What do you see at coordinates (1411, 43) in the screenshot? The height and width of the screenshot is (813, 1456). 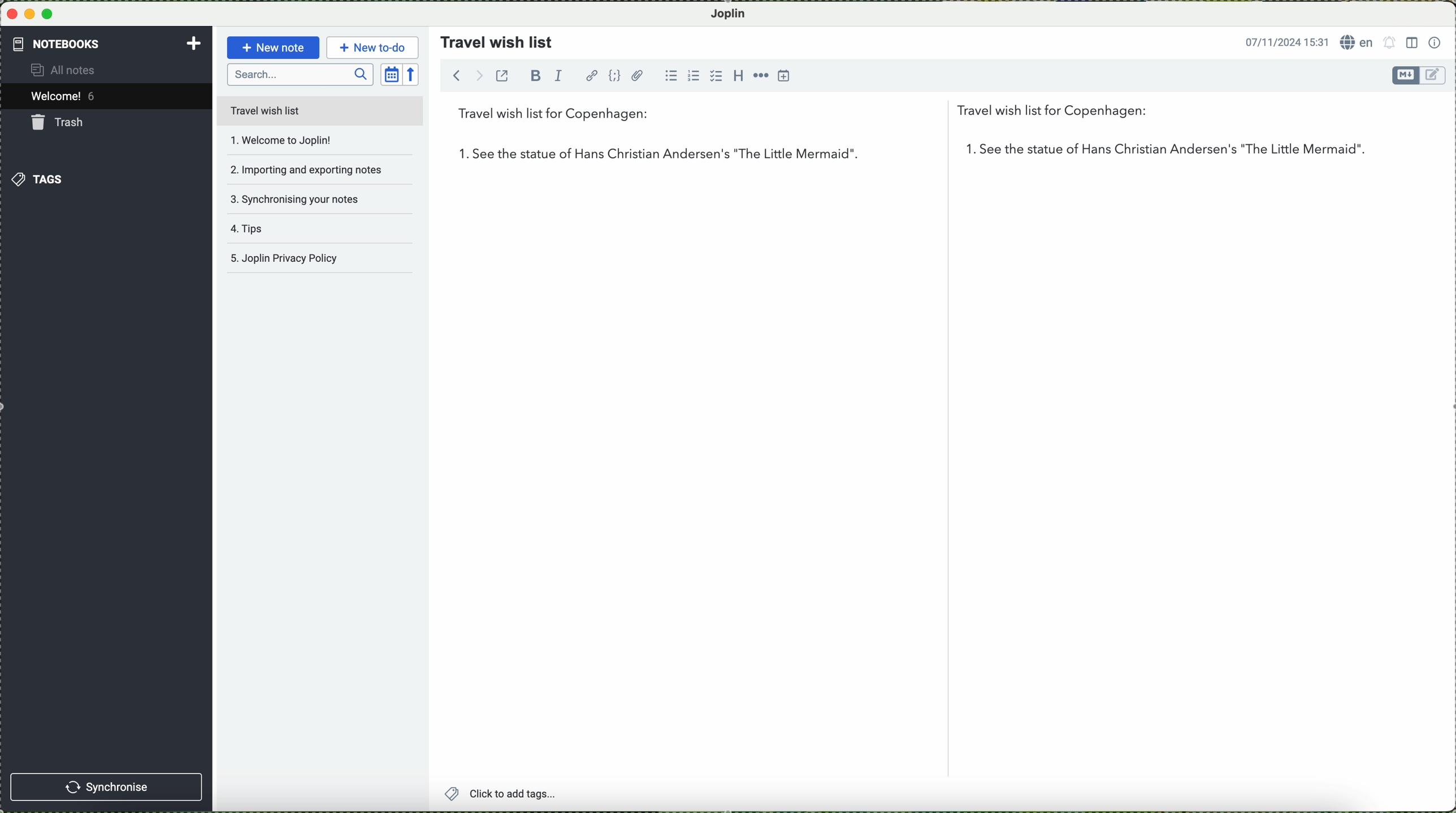 I see `toggle editor layout` at bounding box center [1411, 43].